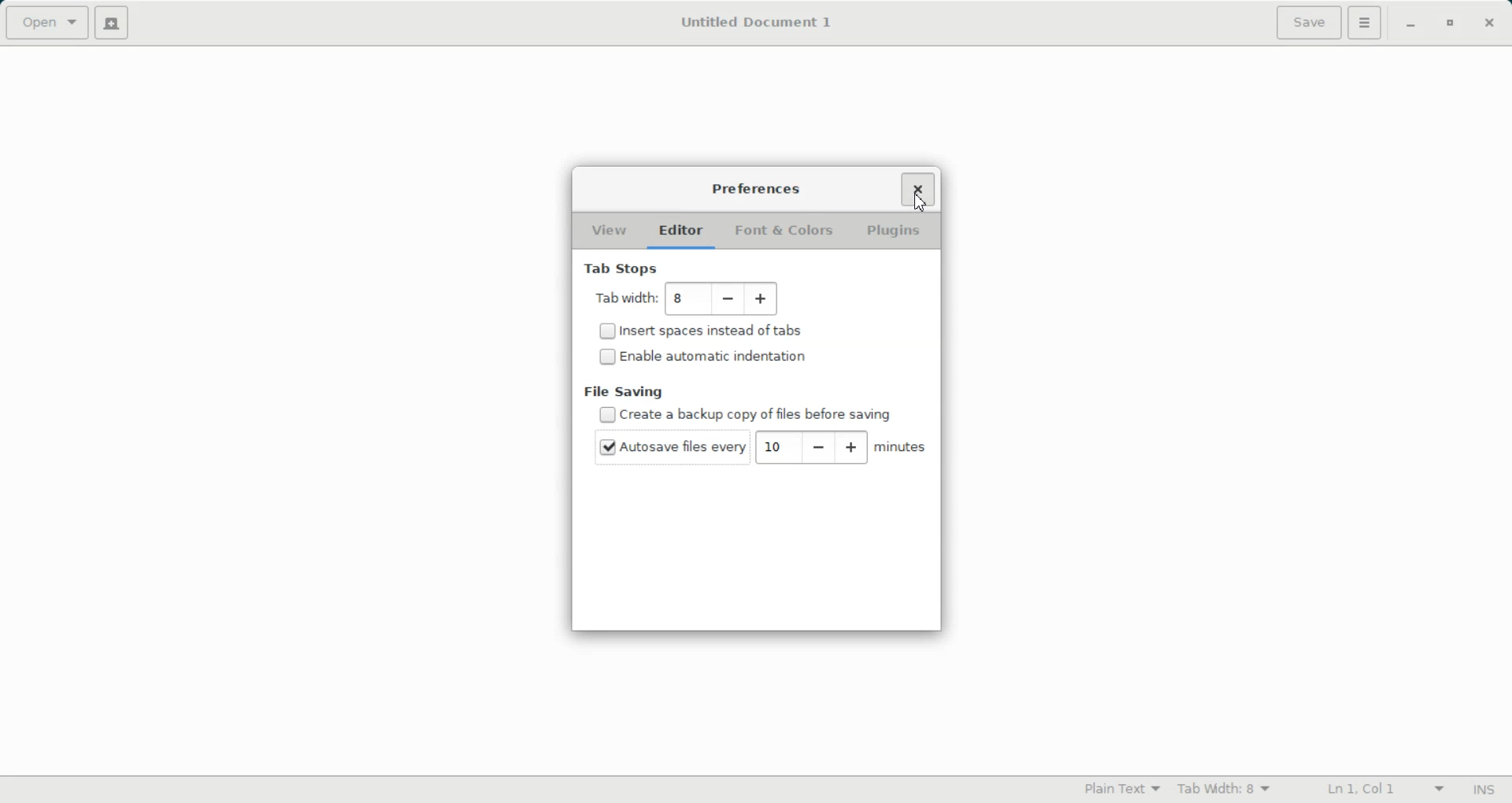 This screenshot has height=803, width=1512. Describe the element at coordinates (852, 447) in the screenshot. I see `Increase` at that location.